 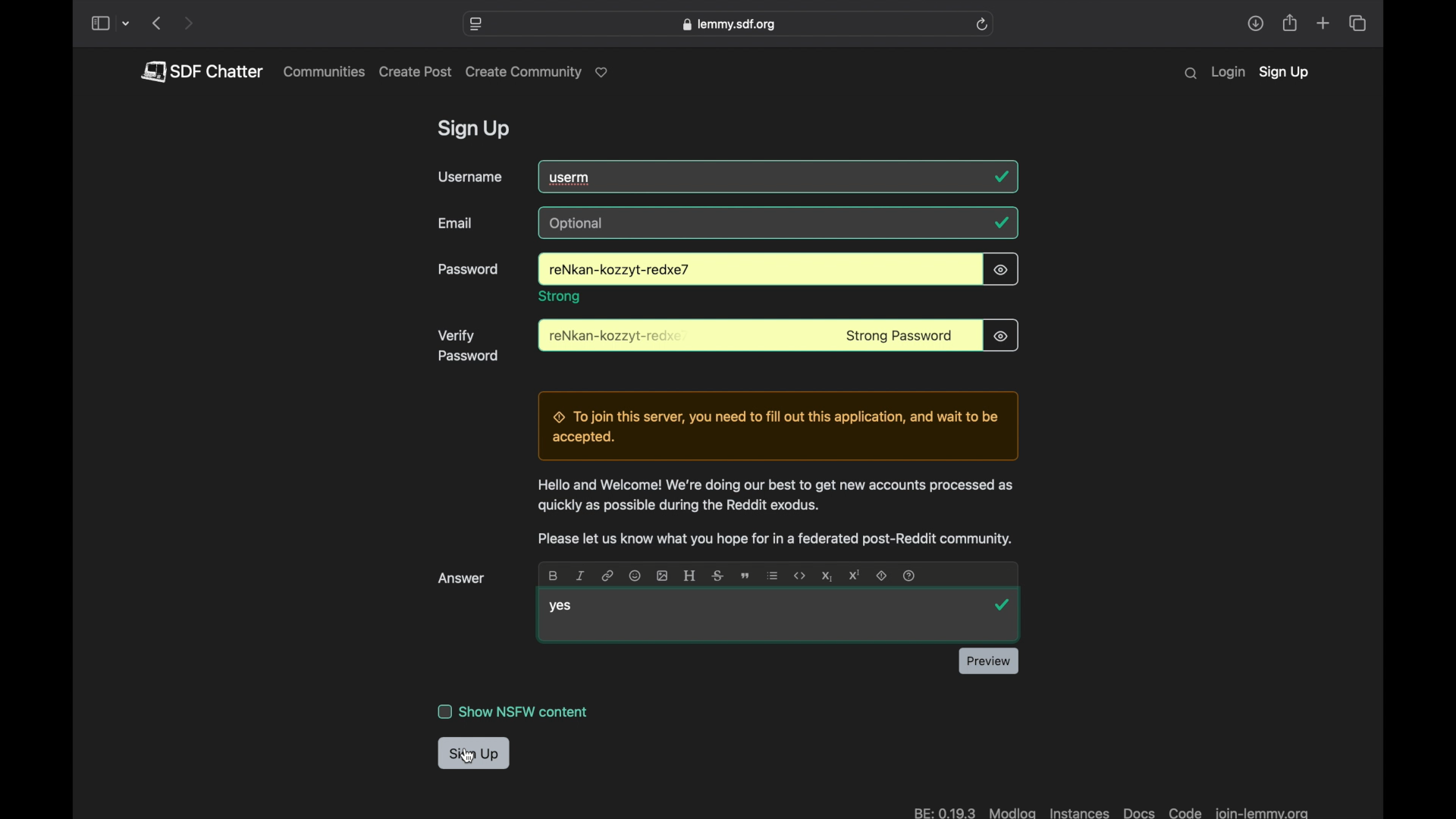 What do you see at coordinates (1228, 73) in the screenshot?
I see `login` at bounding box center [1228, 73].